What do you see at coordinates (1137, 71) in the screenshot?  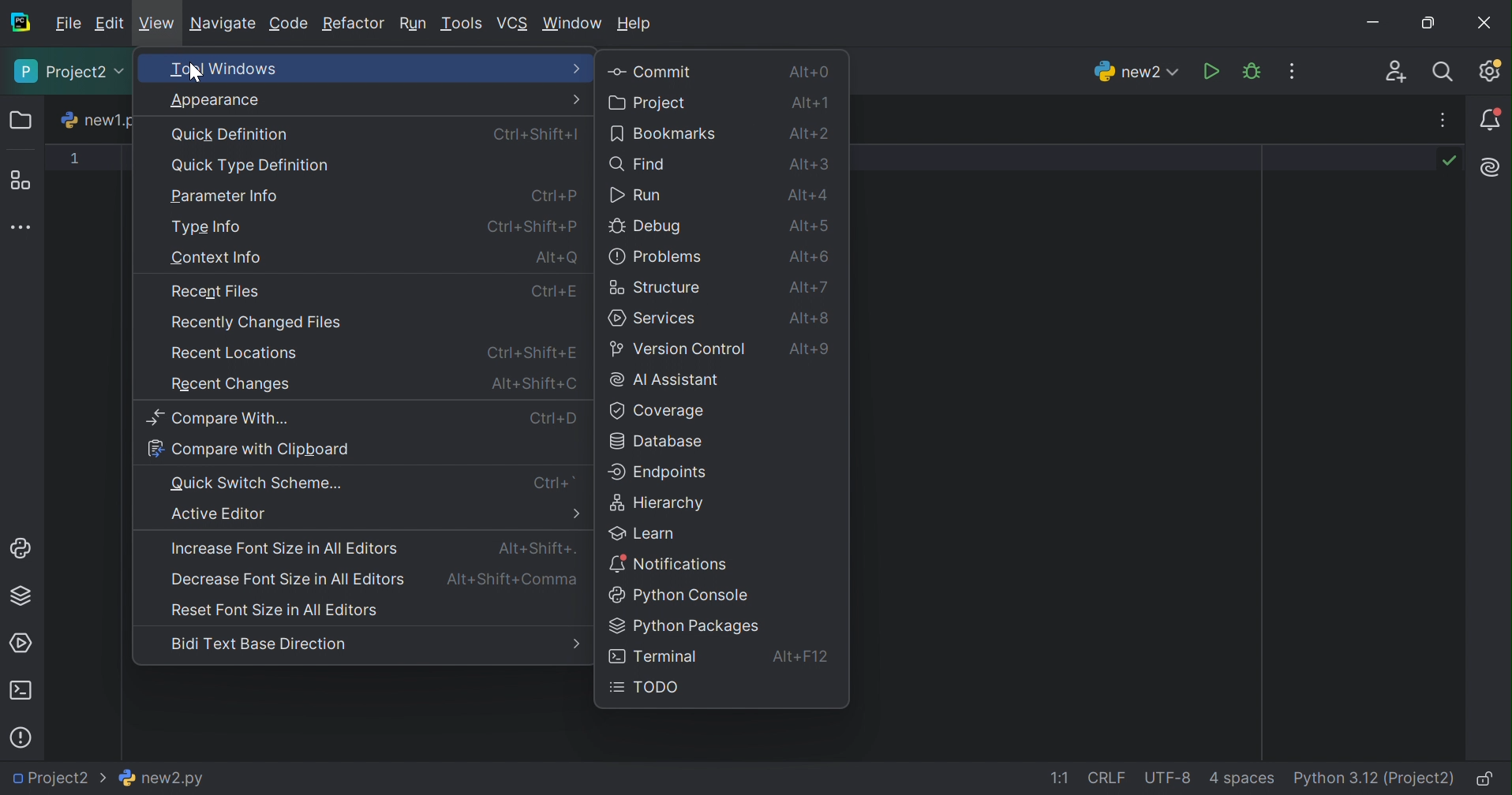 I see `new2` at bounding box center [1137, 71].